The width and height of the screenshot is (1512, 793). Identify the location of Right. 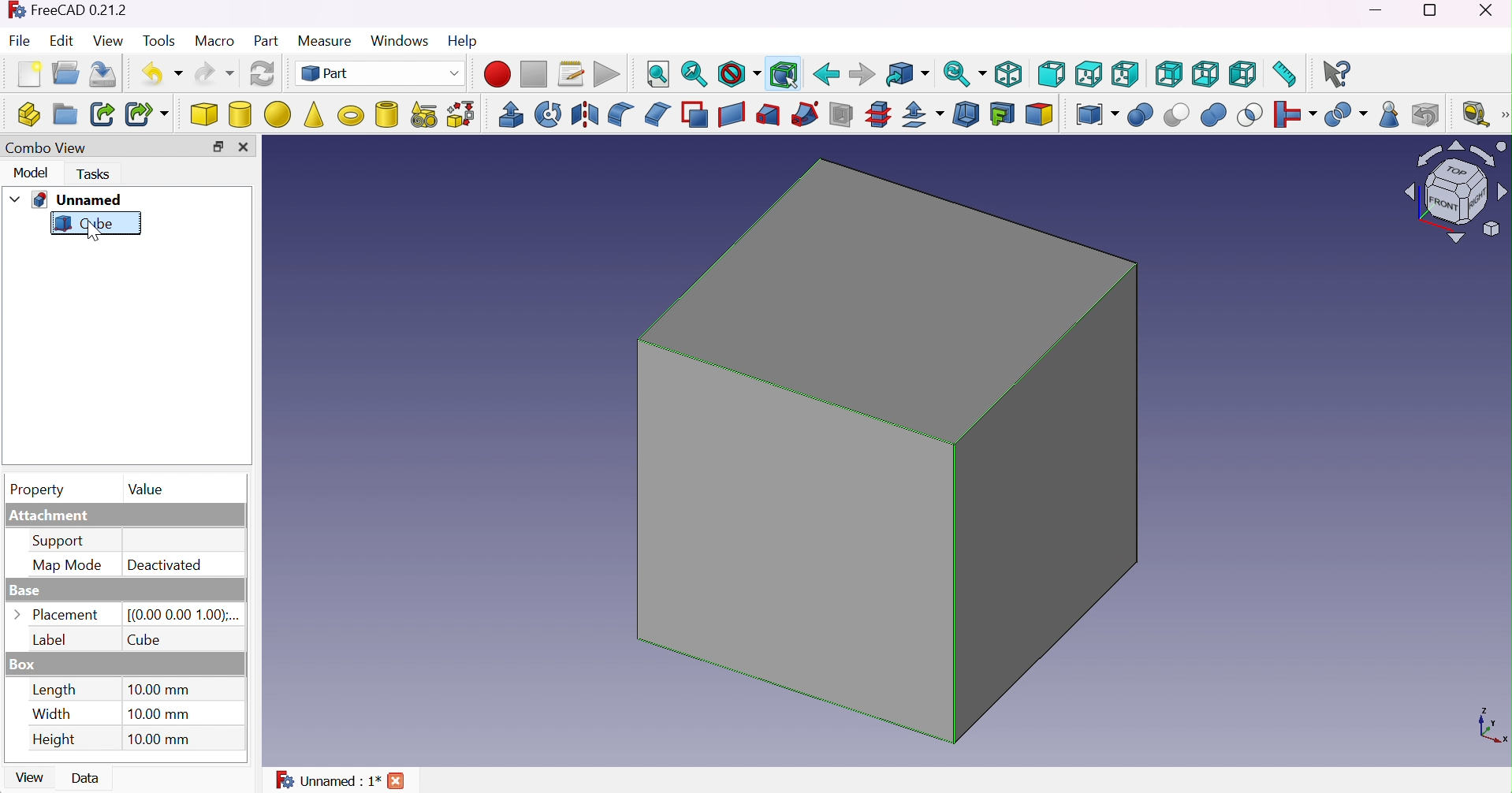
(1125, 74).